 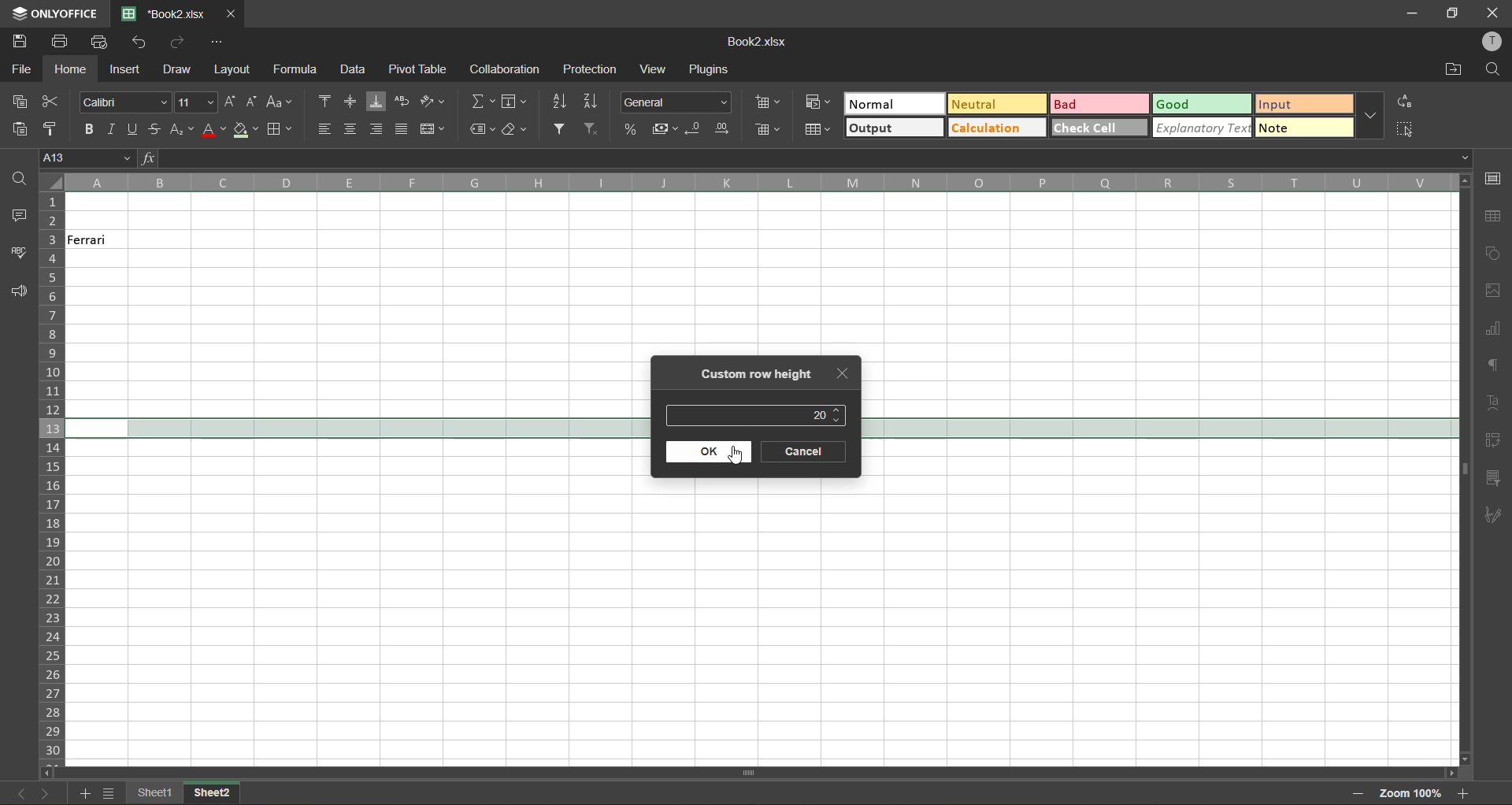 What do you see at coordinates (893, 127) in the screenshot?
I see `output` at bounding box center [893, 127].